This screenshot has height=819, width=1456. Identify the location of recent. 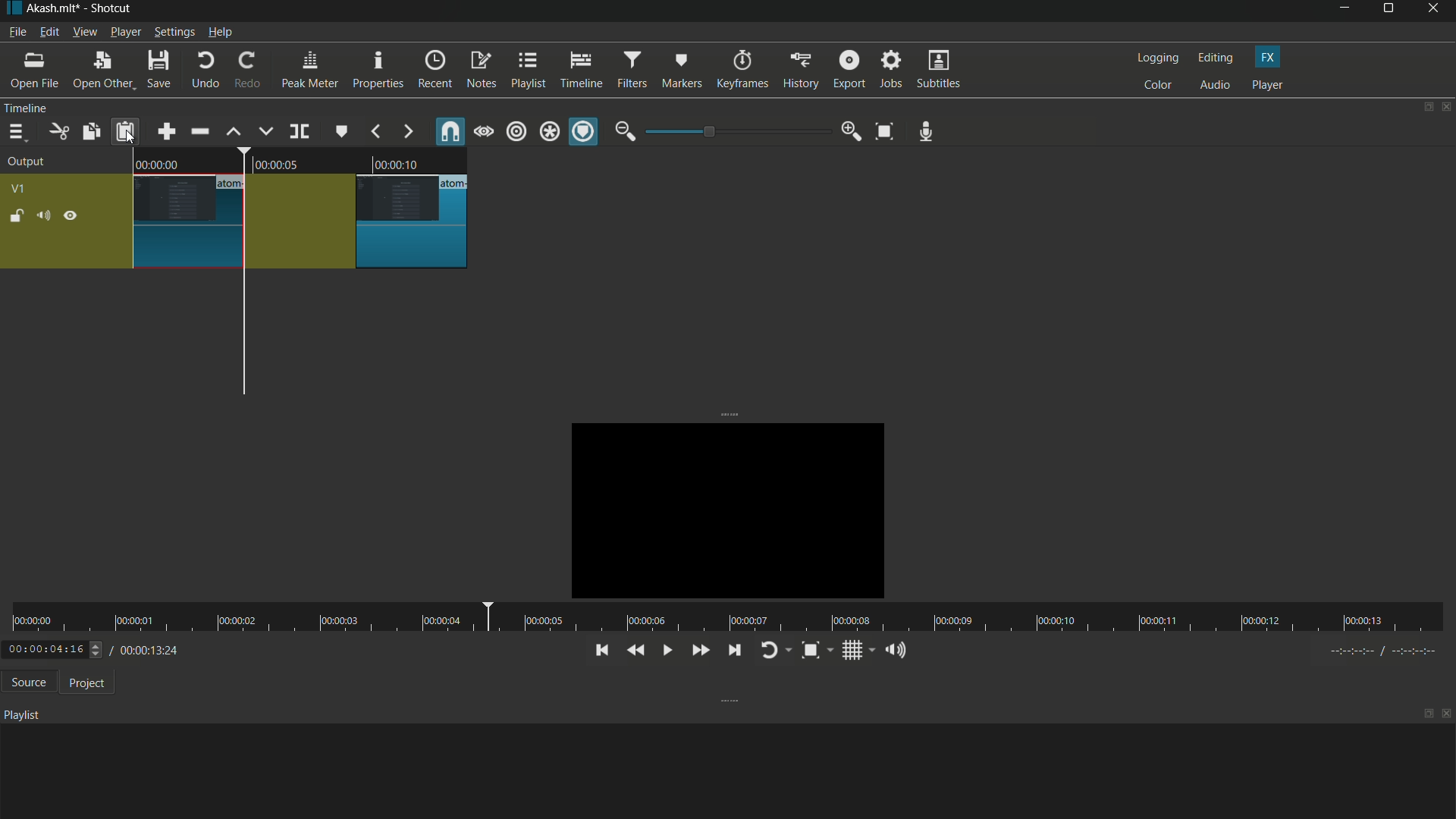
(434, 71).